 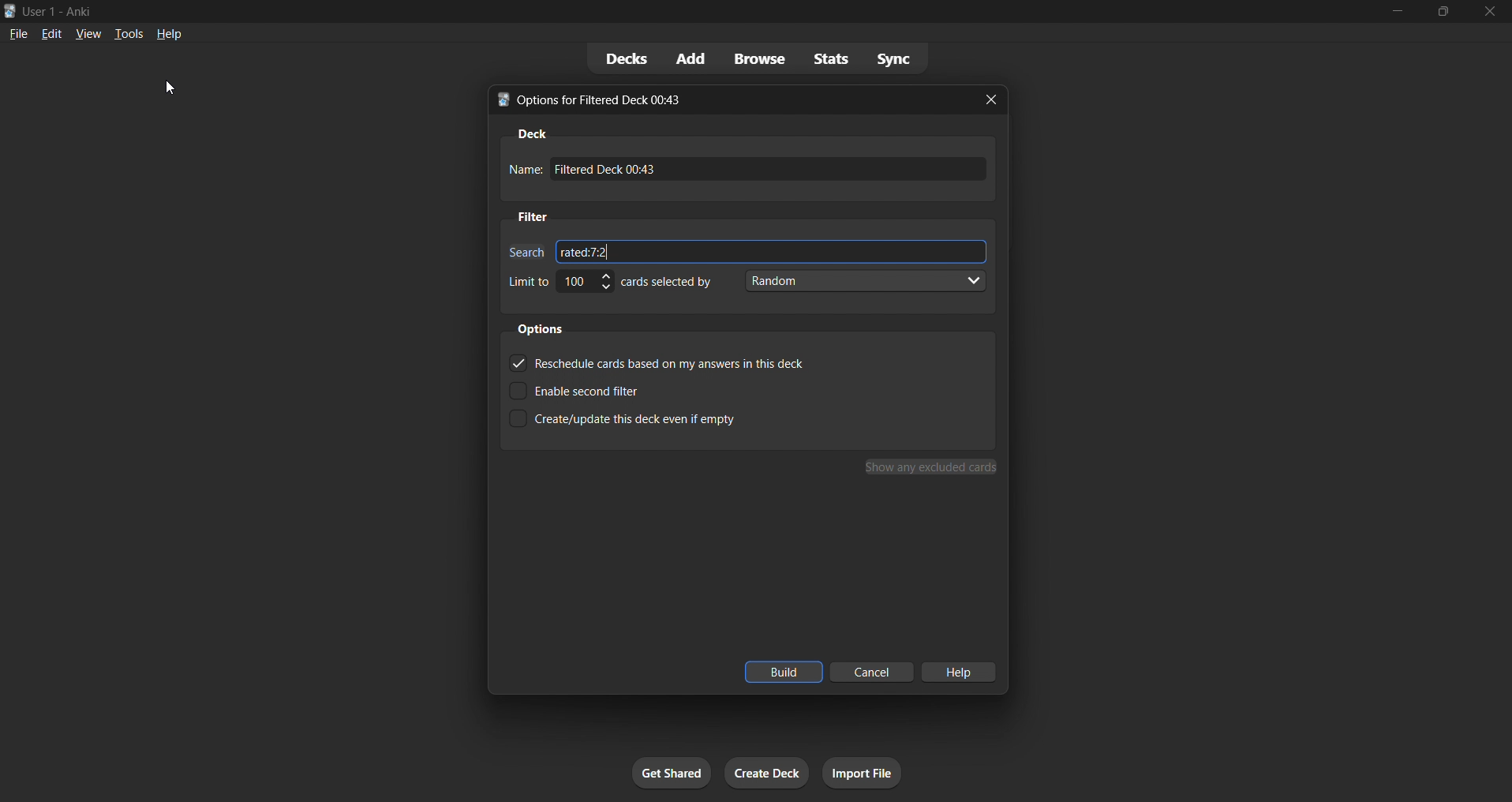 What do you see at coordinates (669, 770) in the screenshot?
I see `get sharedc` at bounding box center [669, 770].